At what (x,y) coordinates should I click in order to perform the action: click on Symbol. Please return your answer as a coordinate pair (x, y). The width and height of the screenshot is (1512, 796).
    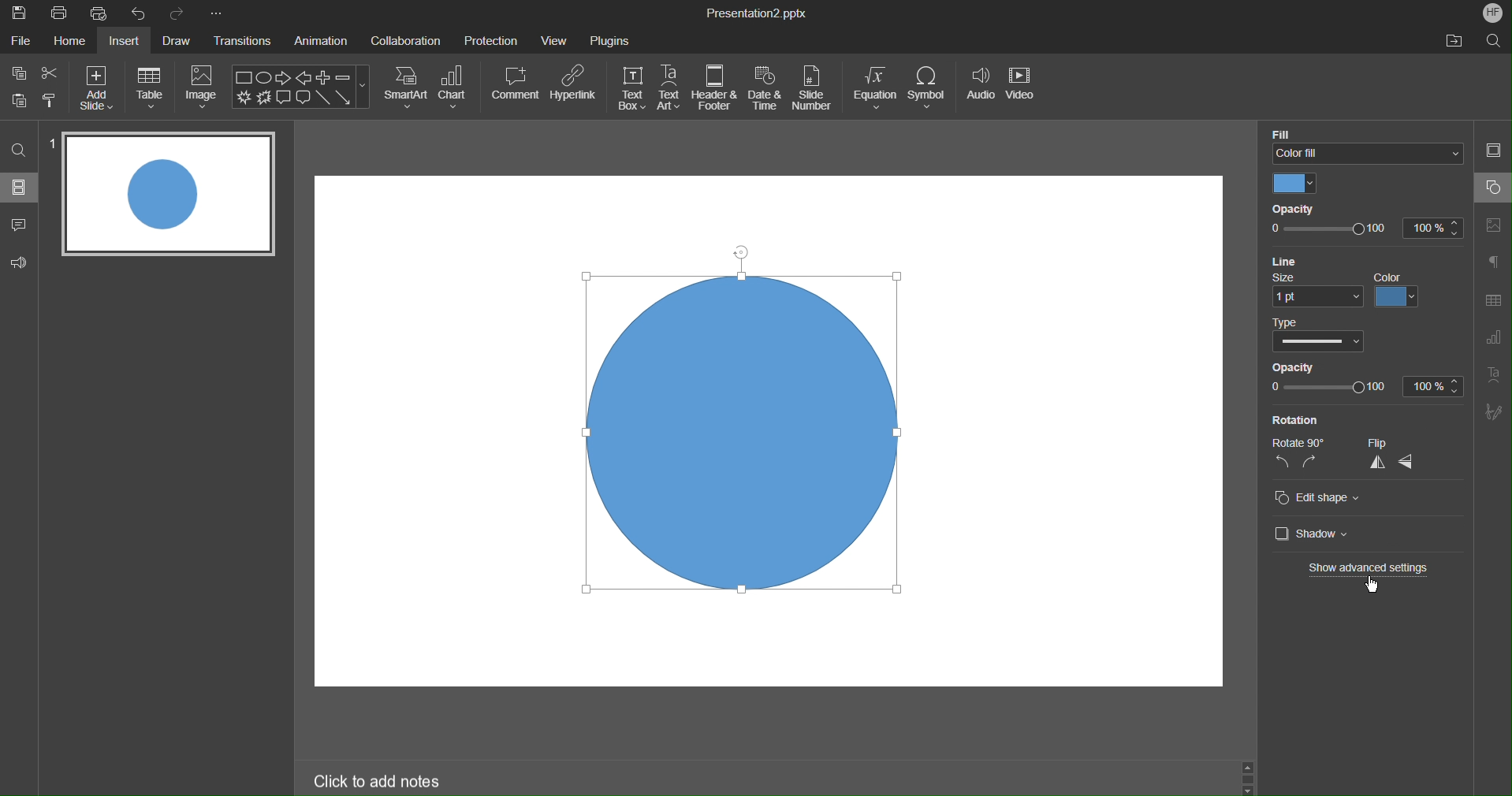
    Looking at the image, I should click on (929, 88).